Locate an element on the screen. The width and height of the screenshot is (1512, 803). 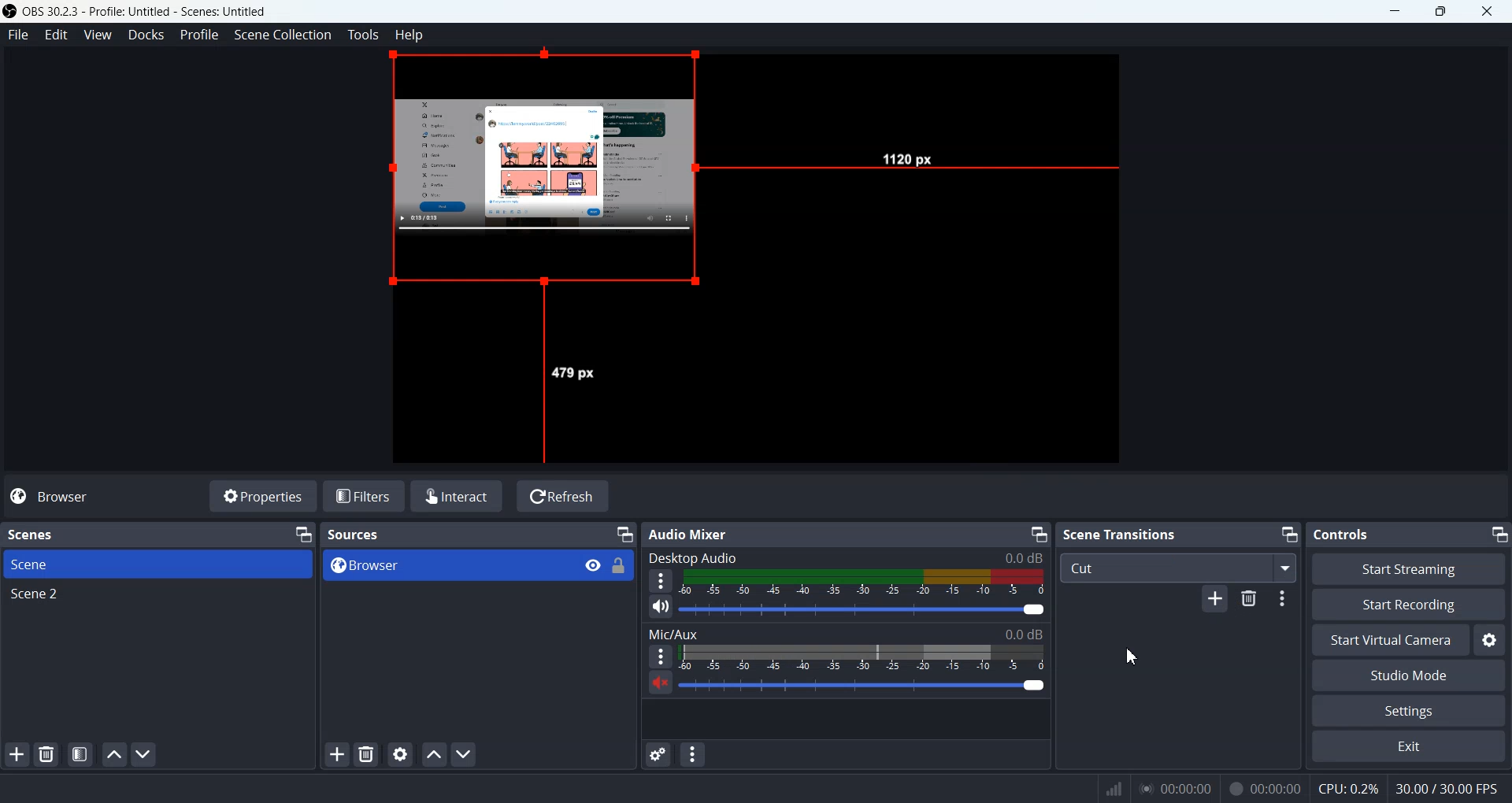
 is located at coordinates (1447, 790).